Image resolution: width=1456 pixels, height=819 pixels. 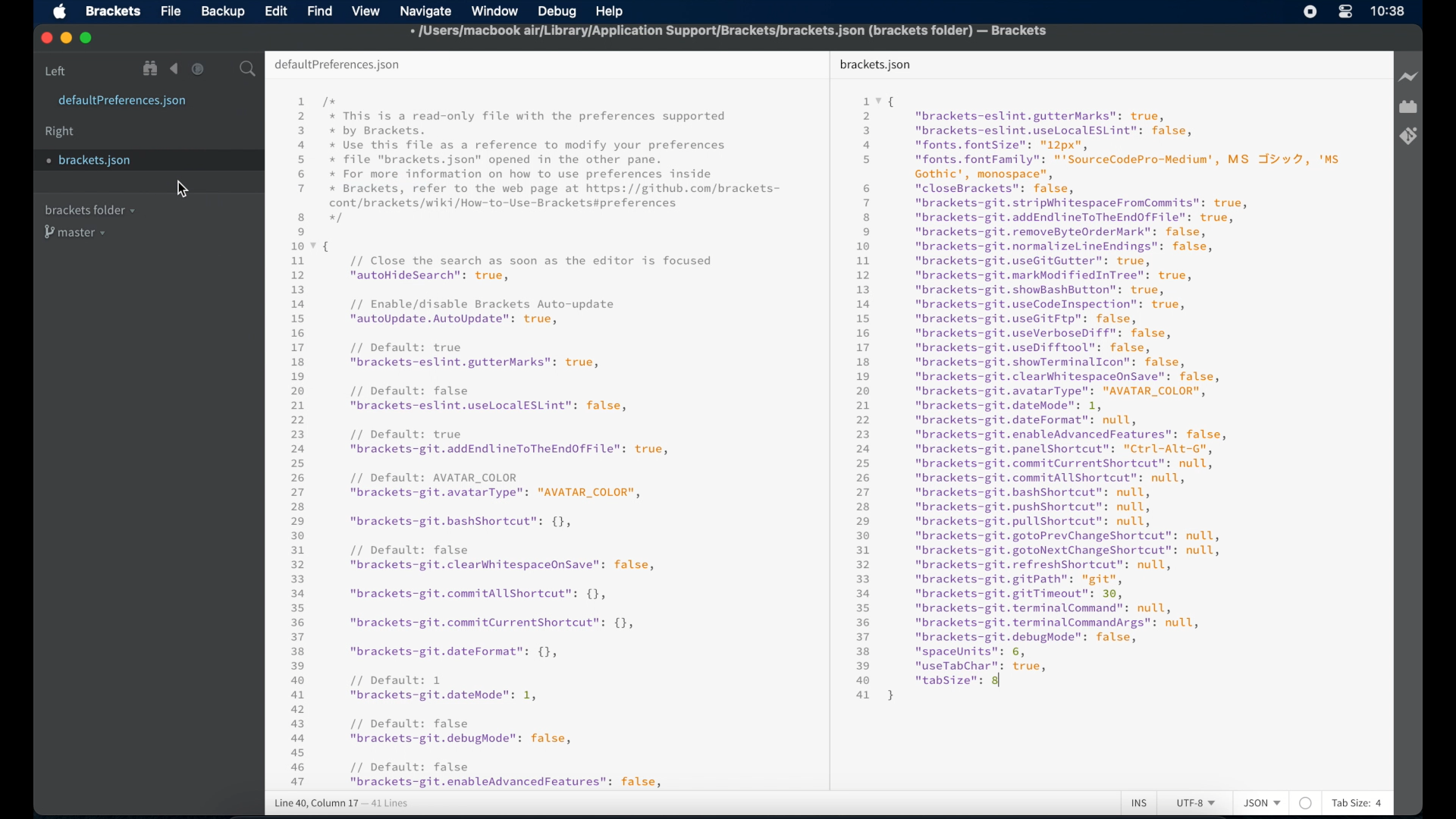 I want to click on split the editor vertical or horizontal, so click(x=222, y=70).